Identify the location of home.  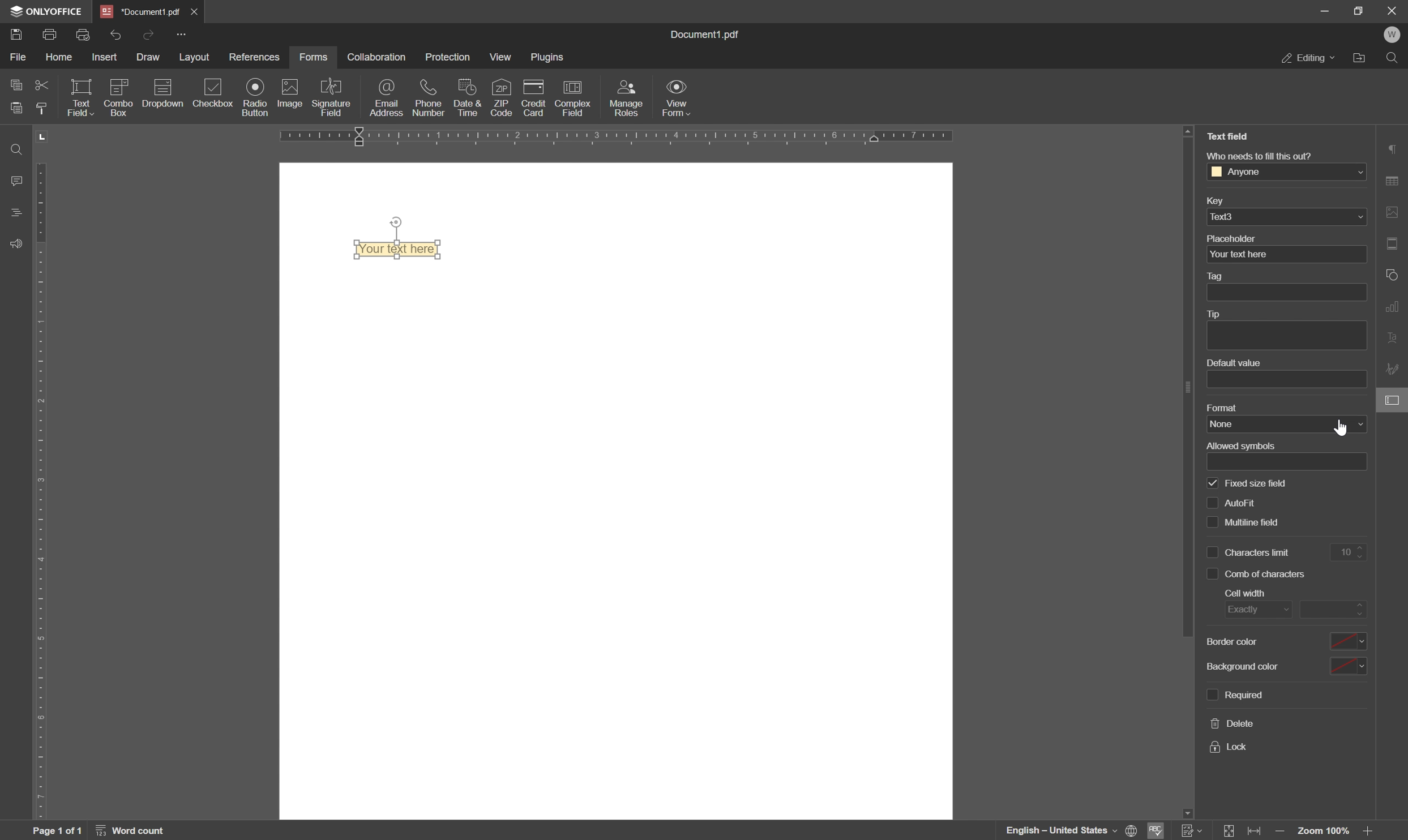
(63, 59).